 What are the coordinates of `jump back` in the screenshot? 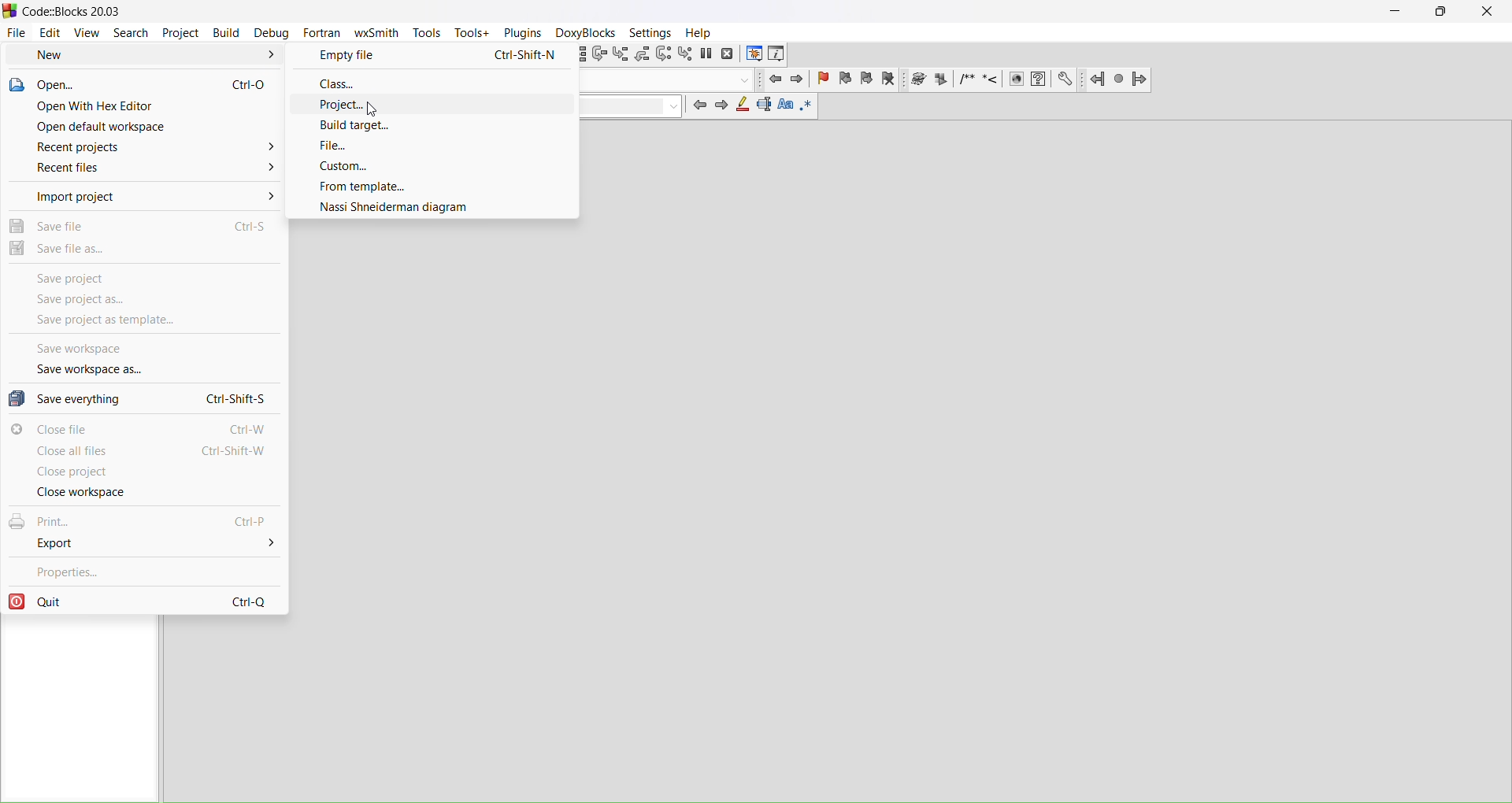 It's located at (773, 83).